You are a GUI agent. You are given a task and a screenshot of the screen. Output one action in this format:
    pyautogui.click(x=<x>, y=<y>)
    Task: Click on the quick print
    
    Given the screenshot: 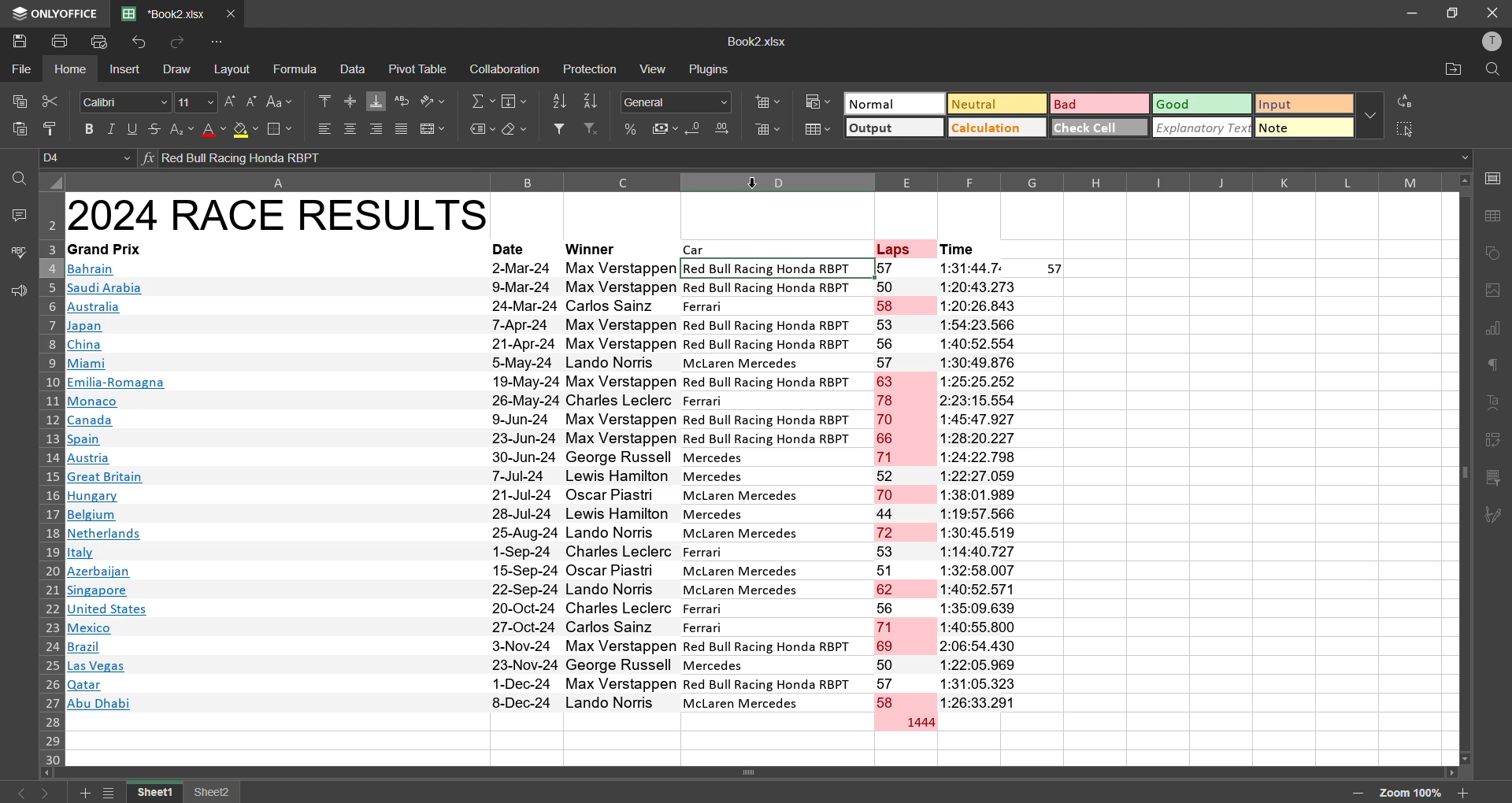 What is the action you would take?
    pyautogui.click(x=100, y=43)
    